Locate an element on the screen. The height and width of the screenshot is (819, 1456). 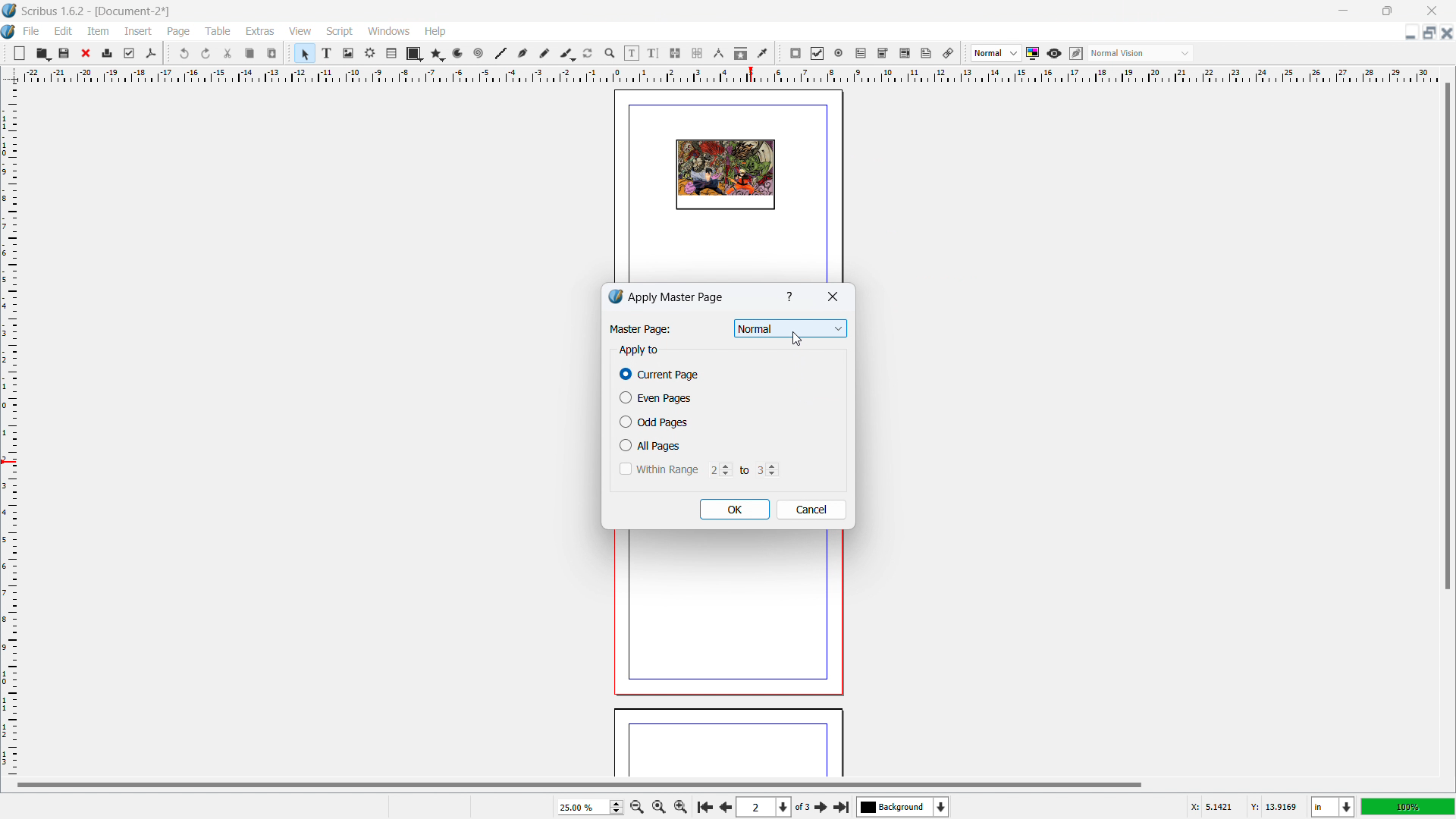
move toolbox is located at coordinates (5, 52).